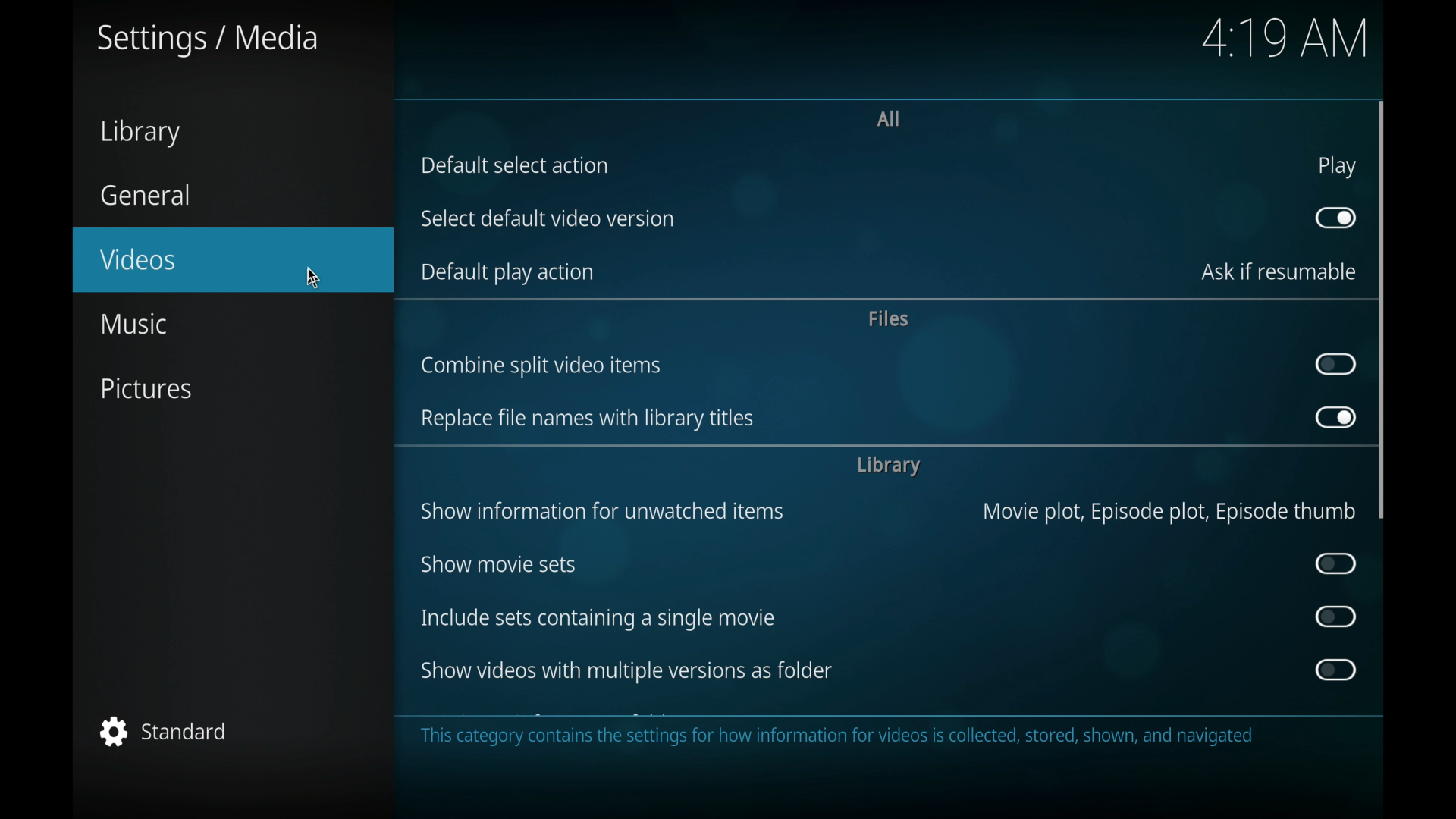 The height and width of the screenshot is (819, 1456). I want to click on all, so click(889, 118).